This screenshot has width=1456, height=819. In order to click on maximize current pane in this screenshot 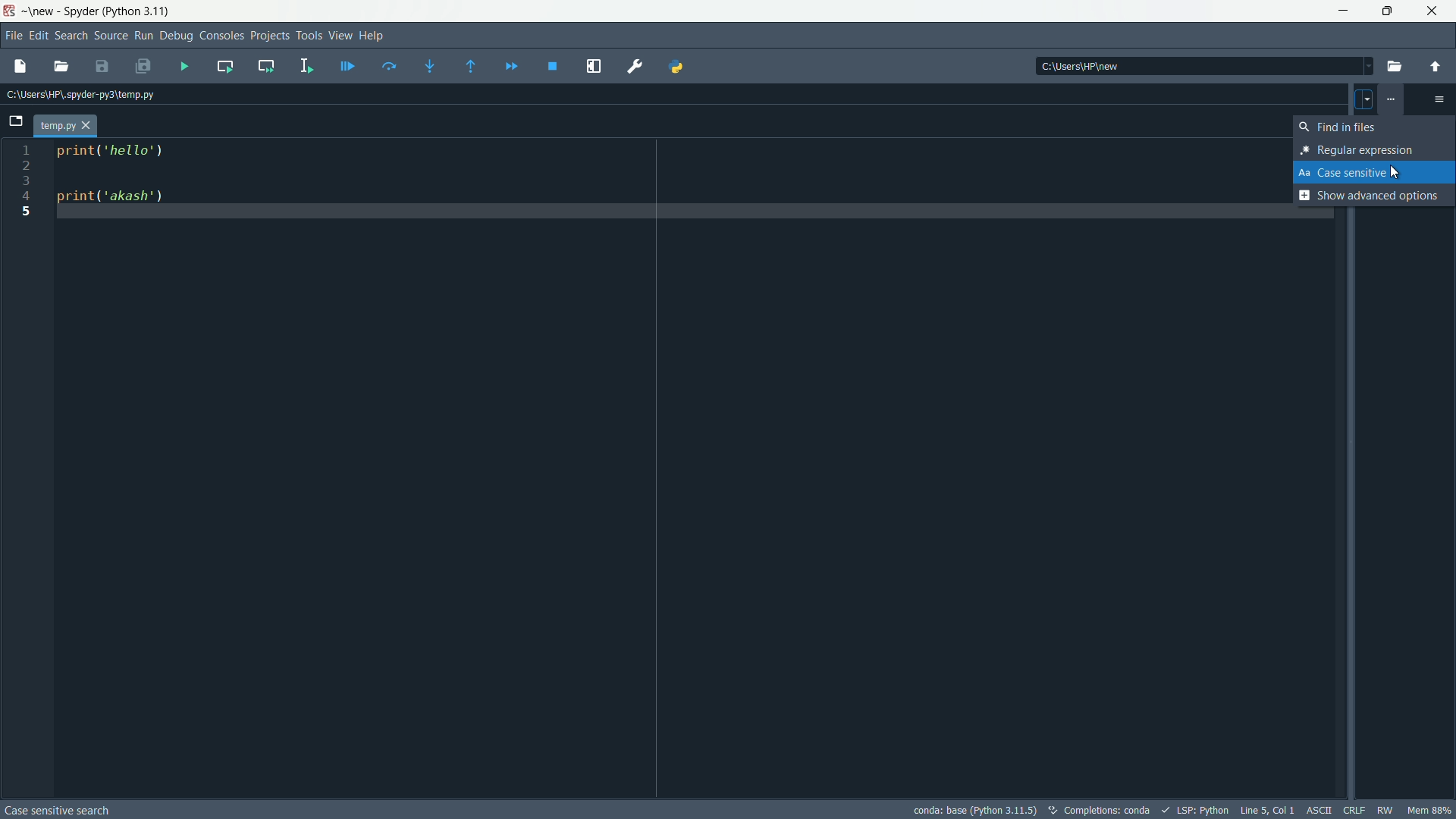, I will do `click(592, 65)`.